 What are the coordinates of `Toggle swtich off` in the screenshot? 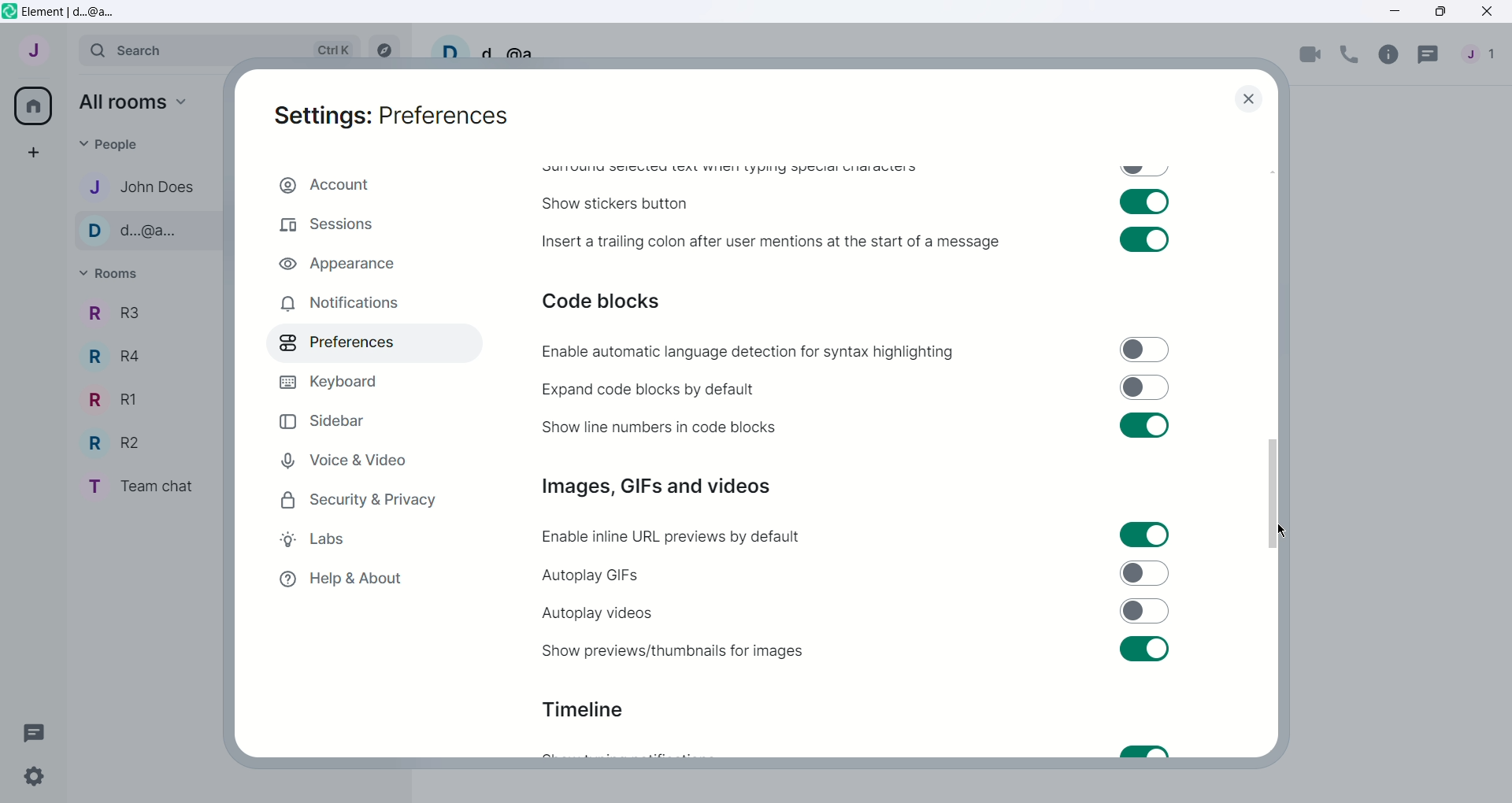 It's located at (1144, 172).